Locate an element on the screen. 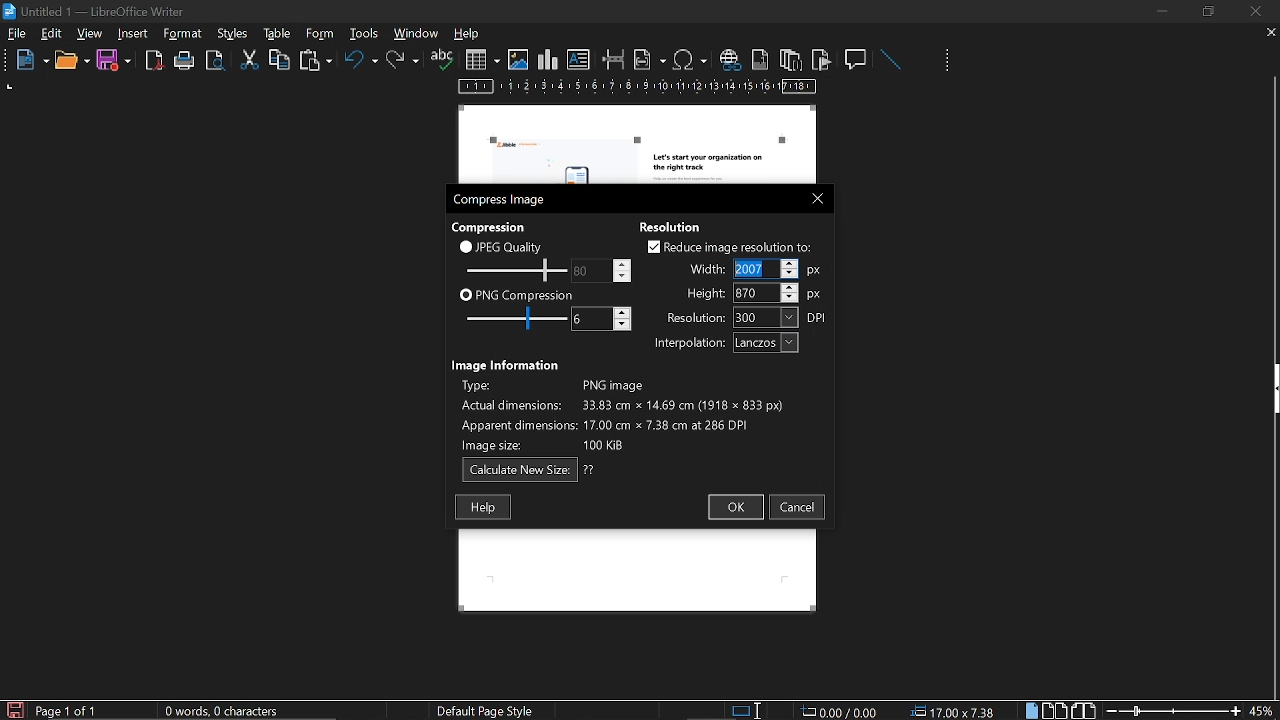  table is located at coordinates (319, 33).